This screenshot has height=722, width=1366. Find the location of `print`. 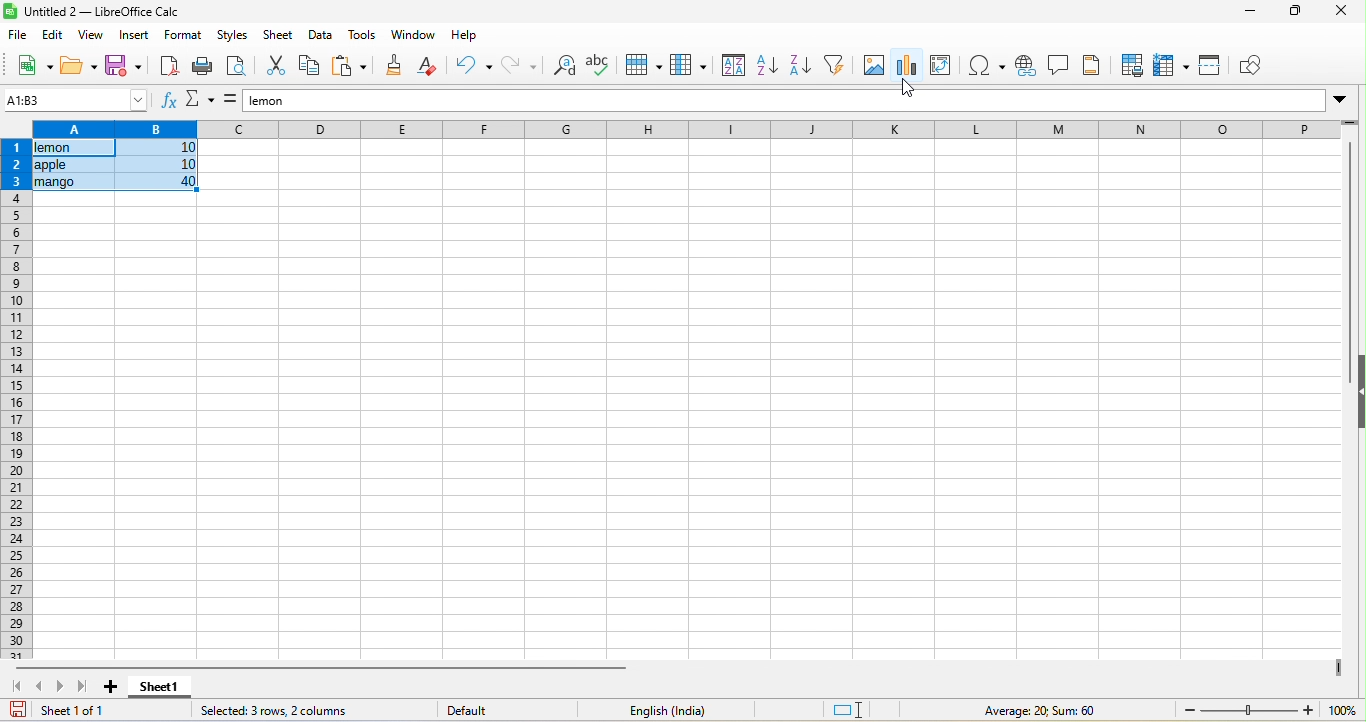

print is located at coordinates (203, 67).